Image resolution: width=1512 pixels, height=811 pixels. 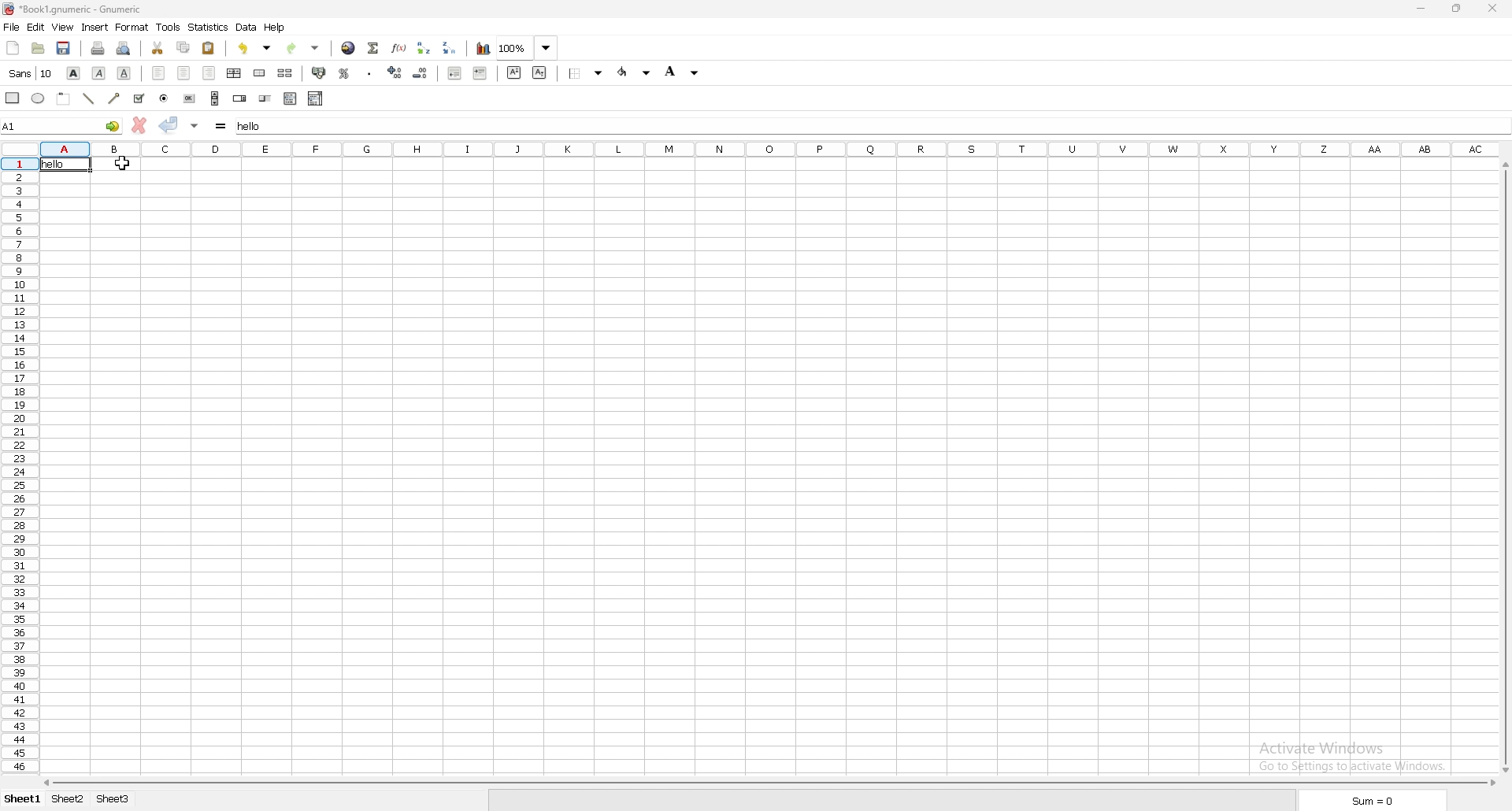 I want to click on accept change in multiple cells, so click(x=195, y=125).